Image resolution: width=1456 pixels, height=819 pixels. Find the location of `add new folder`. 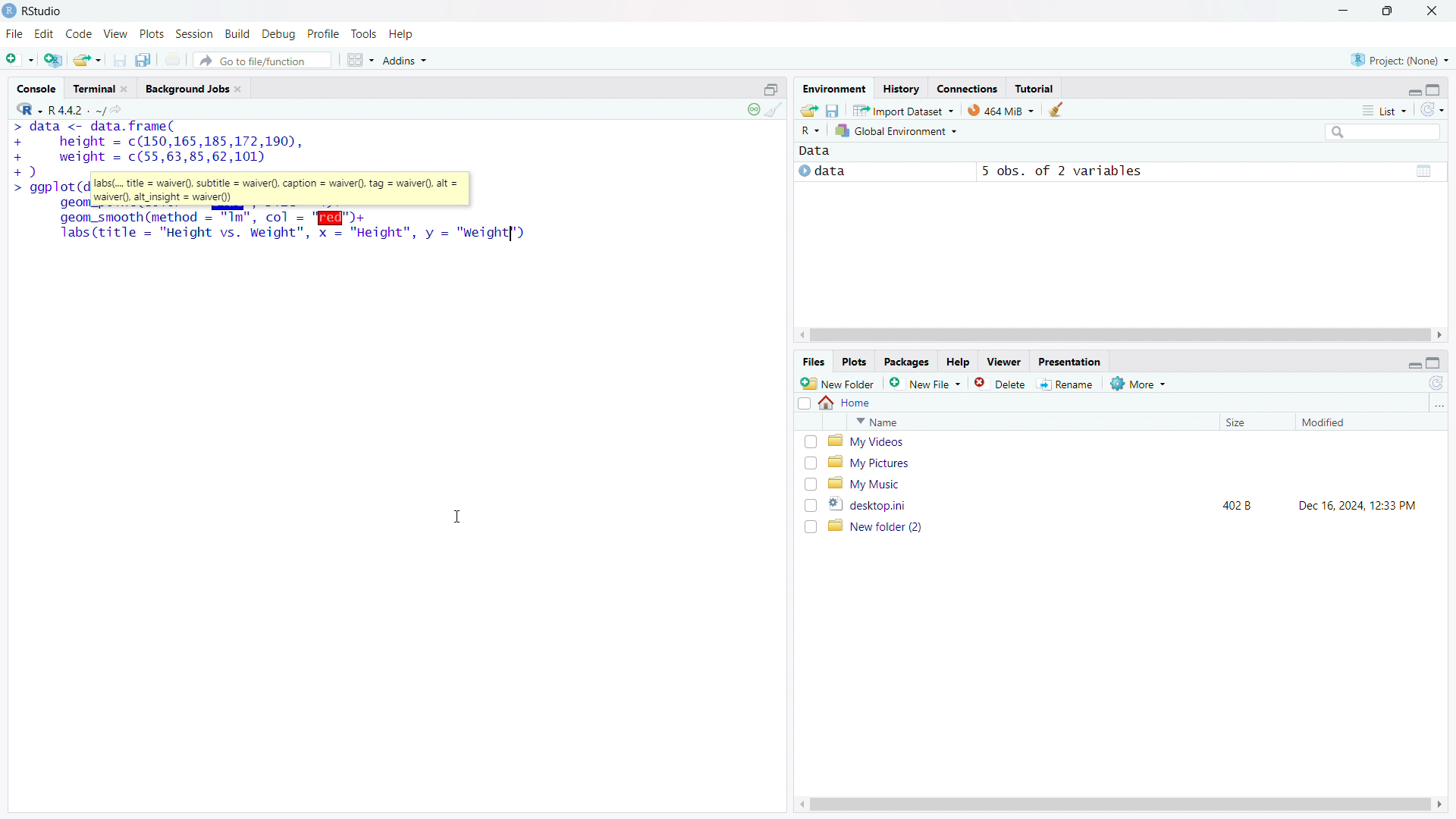

add new folder is located at coordinates (838, 383).